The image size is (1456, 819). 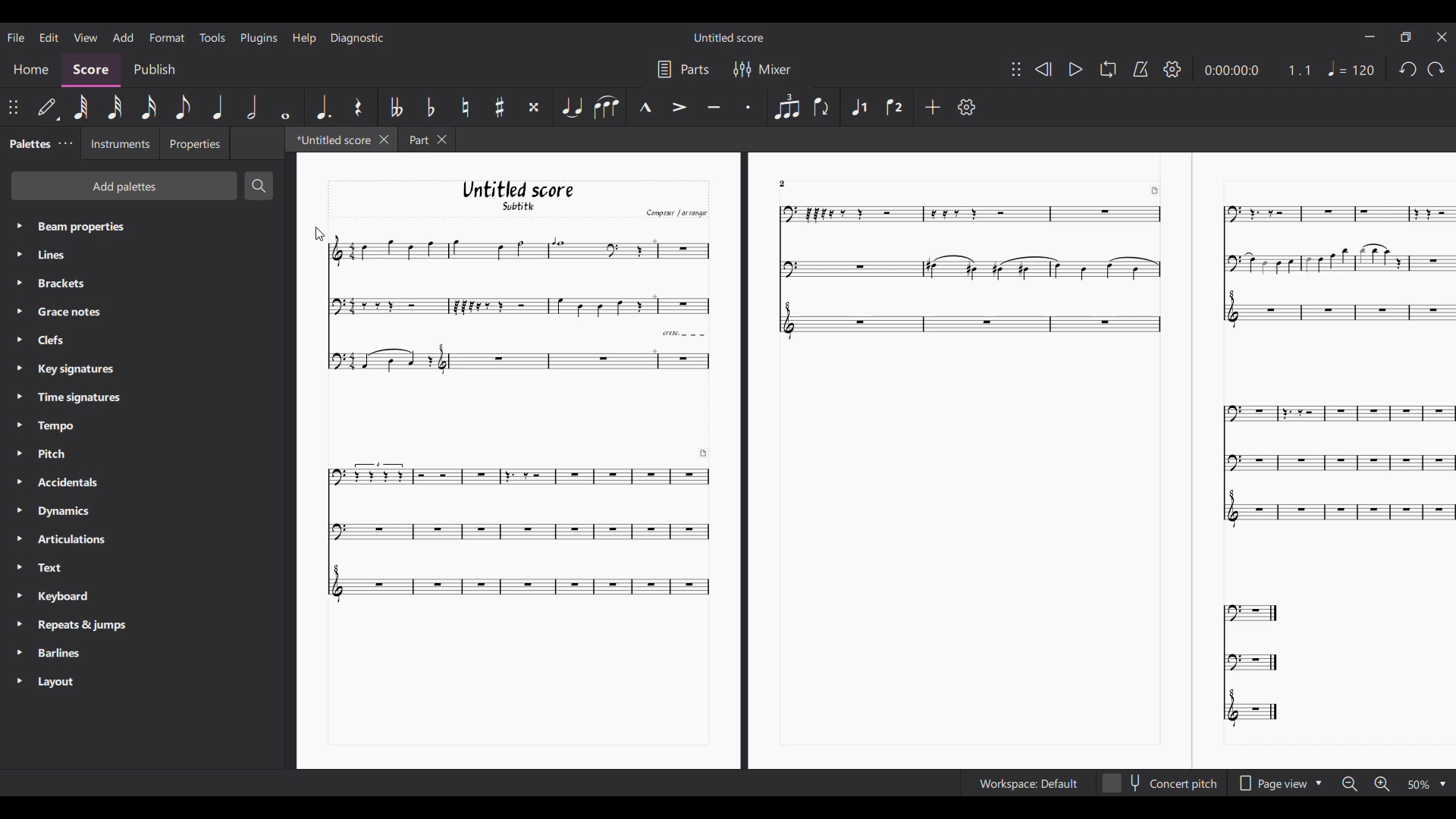 What do you see at coordinates (16, 340) in the screenshot?
I see `` at bounding box center [16, 340].